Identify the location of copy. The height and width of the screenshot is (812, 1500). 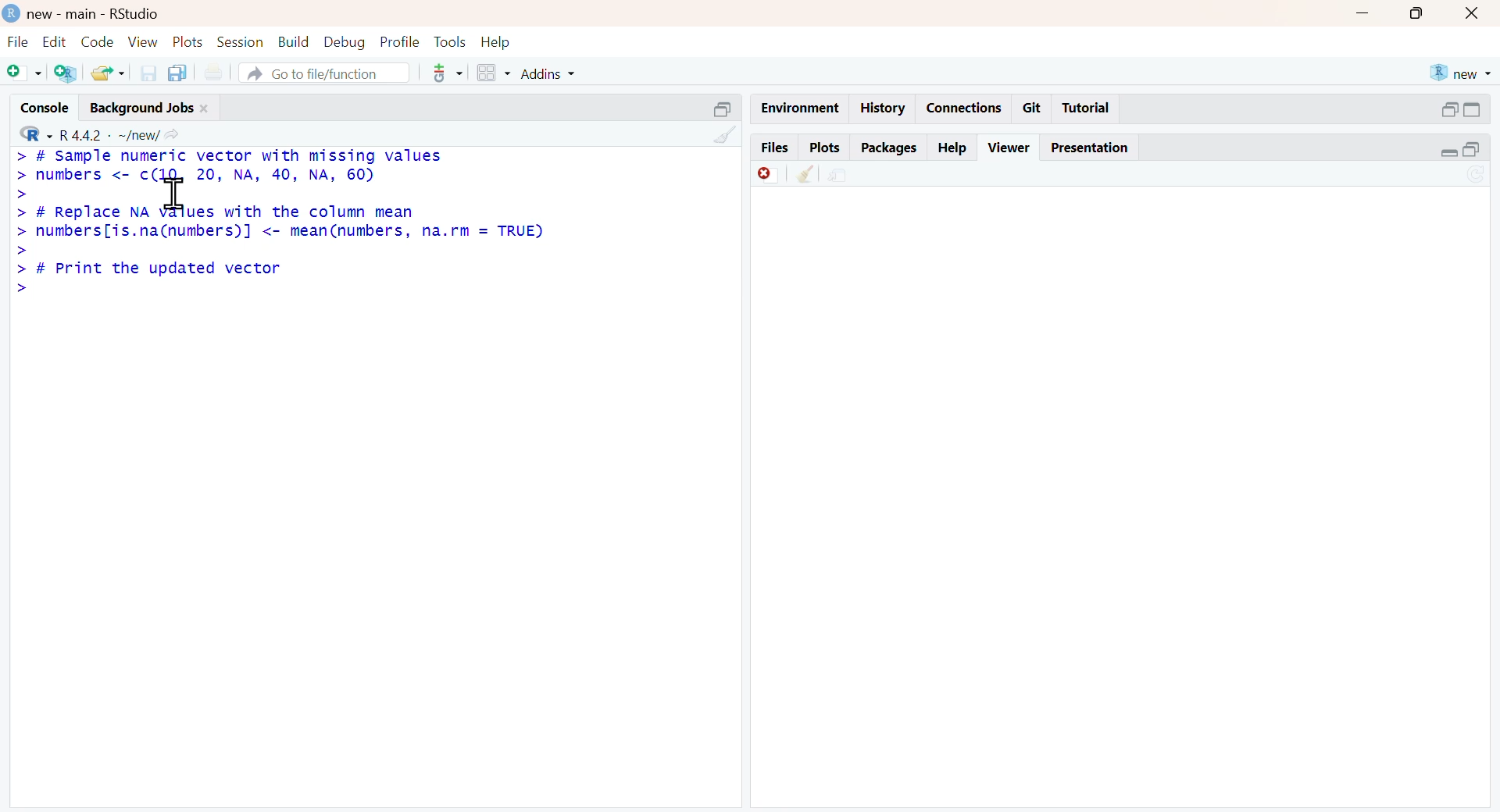
(177, 73).